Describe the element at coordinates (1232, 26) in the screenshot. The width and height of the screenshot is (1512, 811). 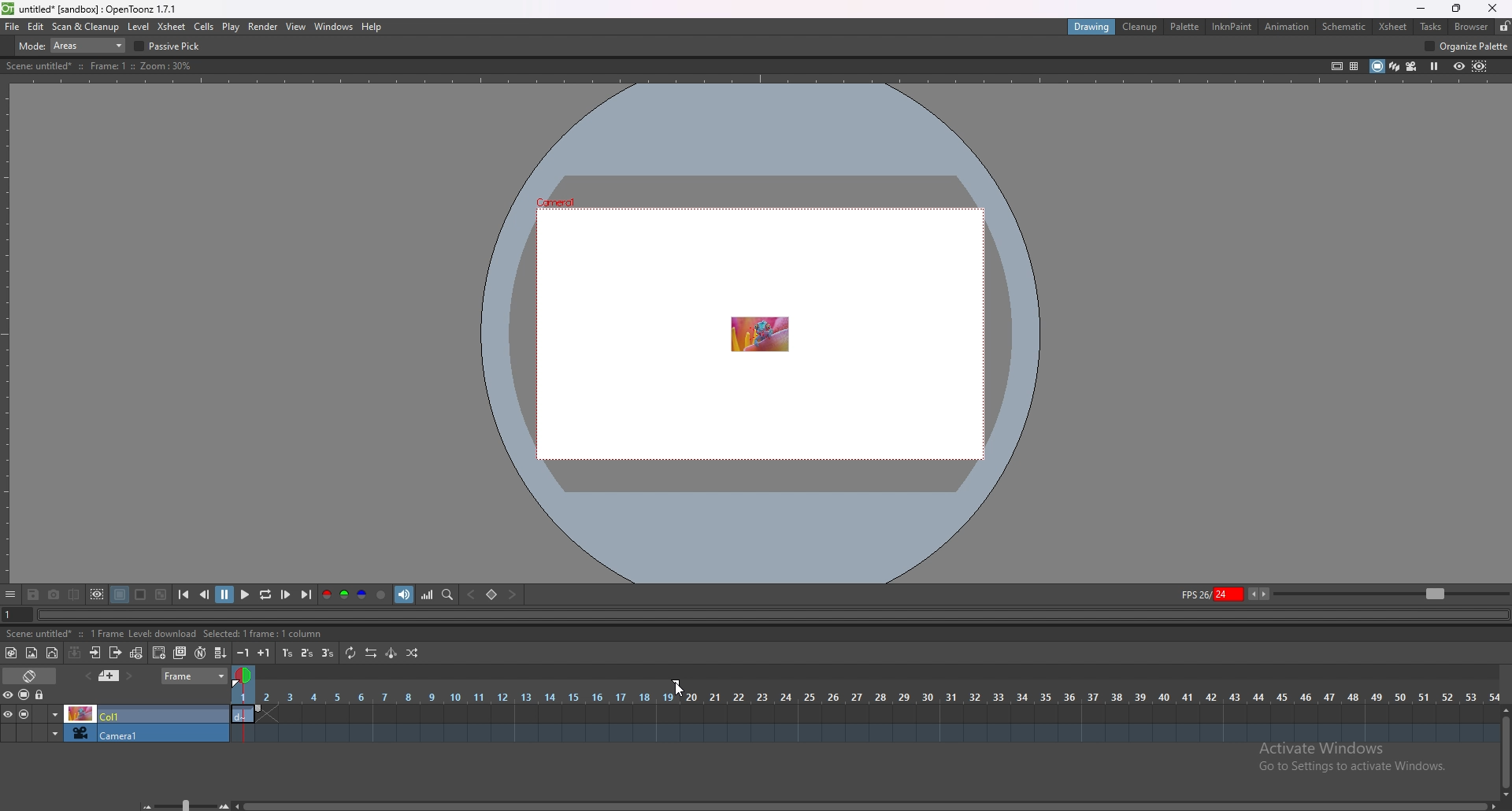
I see `inknpaint` at that location.